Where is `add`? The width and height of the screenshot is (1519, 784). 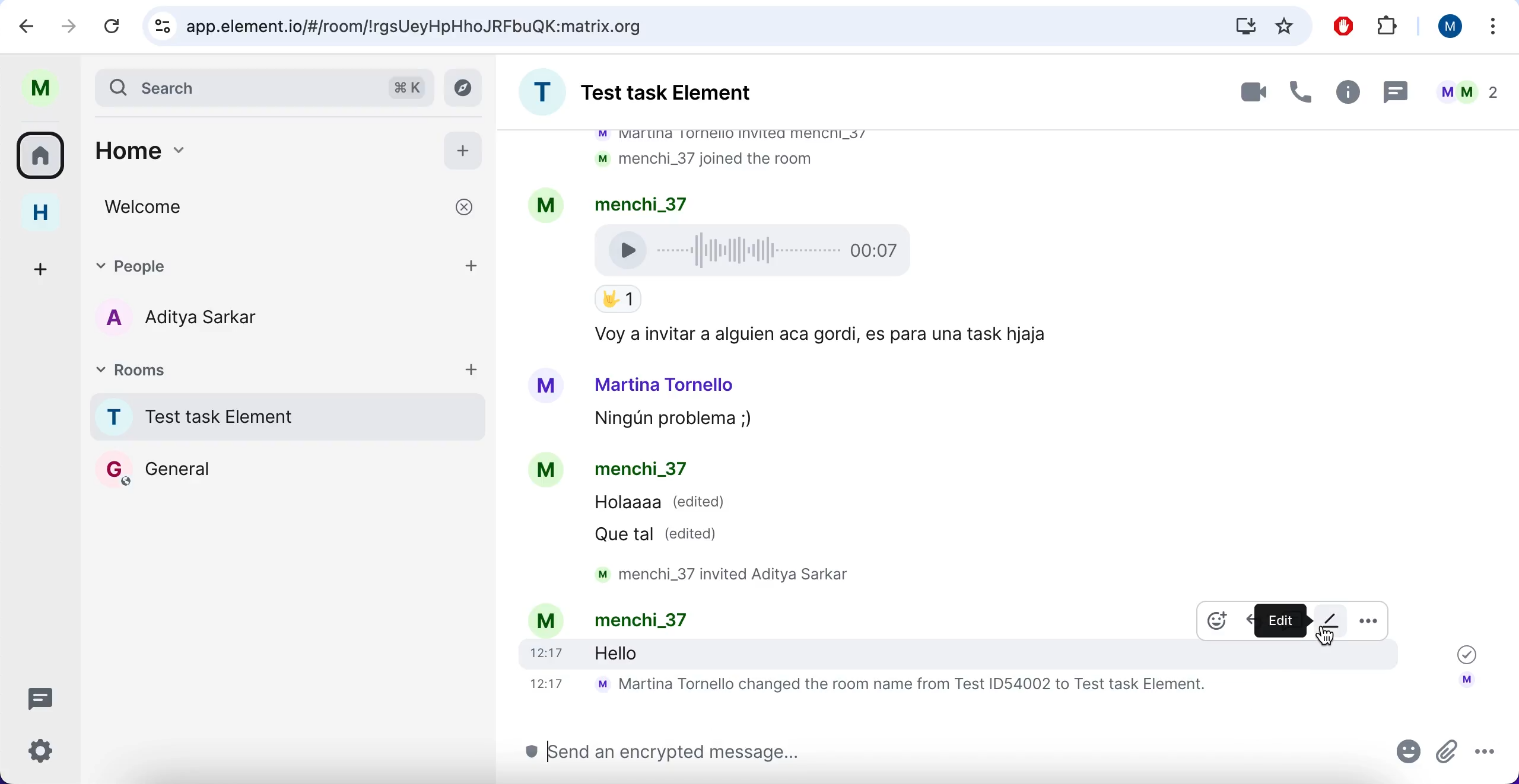
add is located at coordinates (464, 151).